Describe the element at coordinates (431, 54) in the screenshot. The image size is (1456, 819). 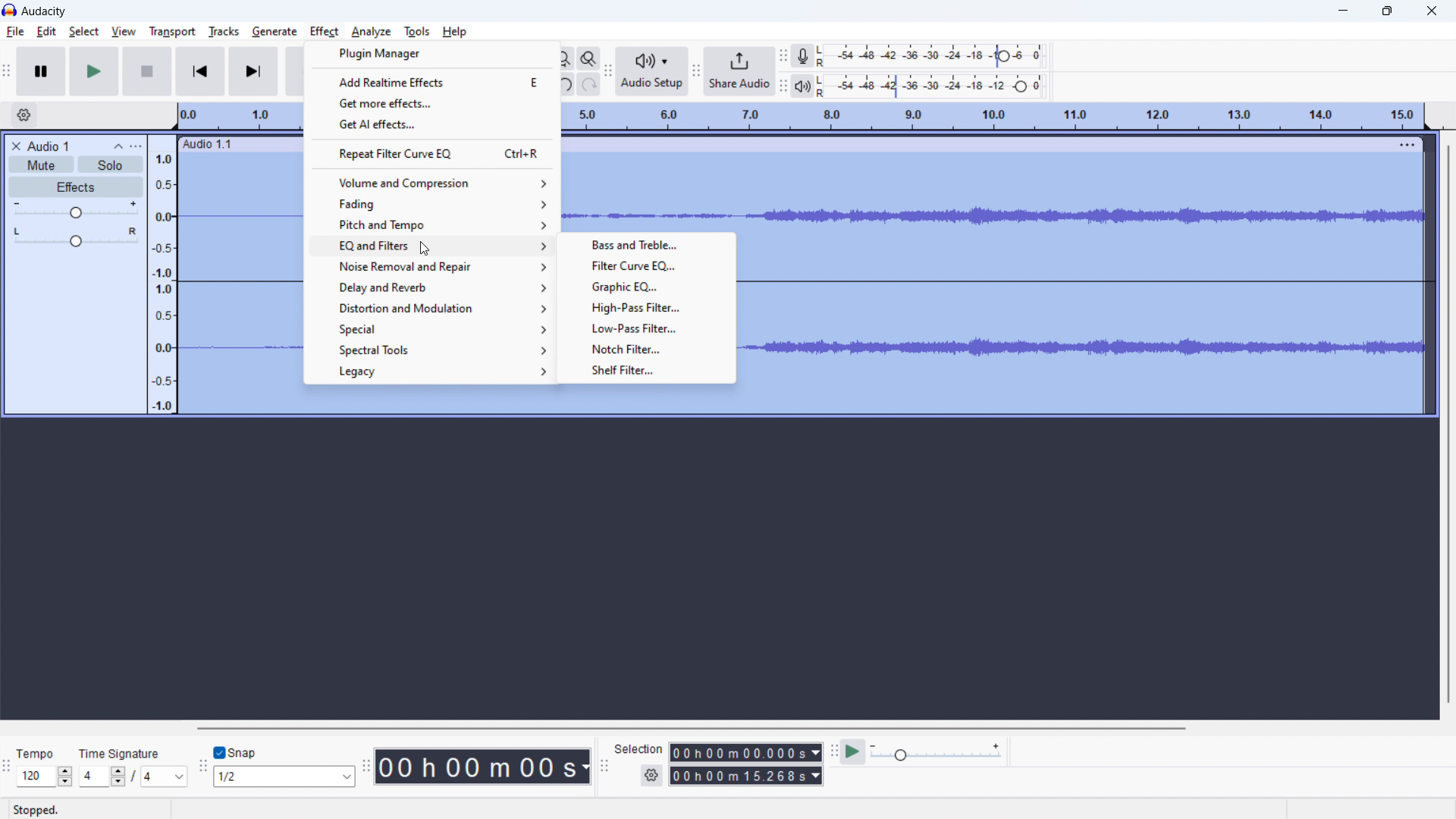
I see `plugin manager` at that location.